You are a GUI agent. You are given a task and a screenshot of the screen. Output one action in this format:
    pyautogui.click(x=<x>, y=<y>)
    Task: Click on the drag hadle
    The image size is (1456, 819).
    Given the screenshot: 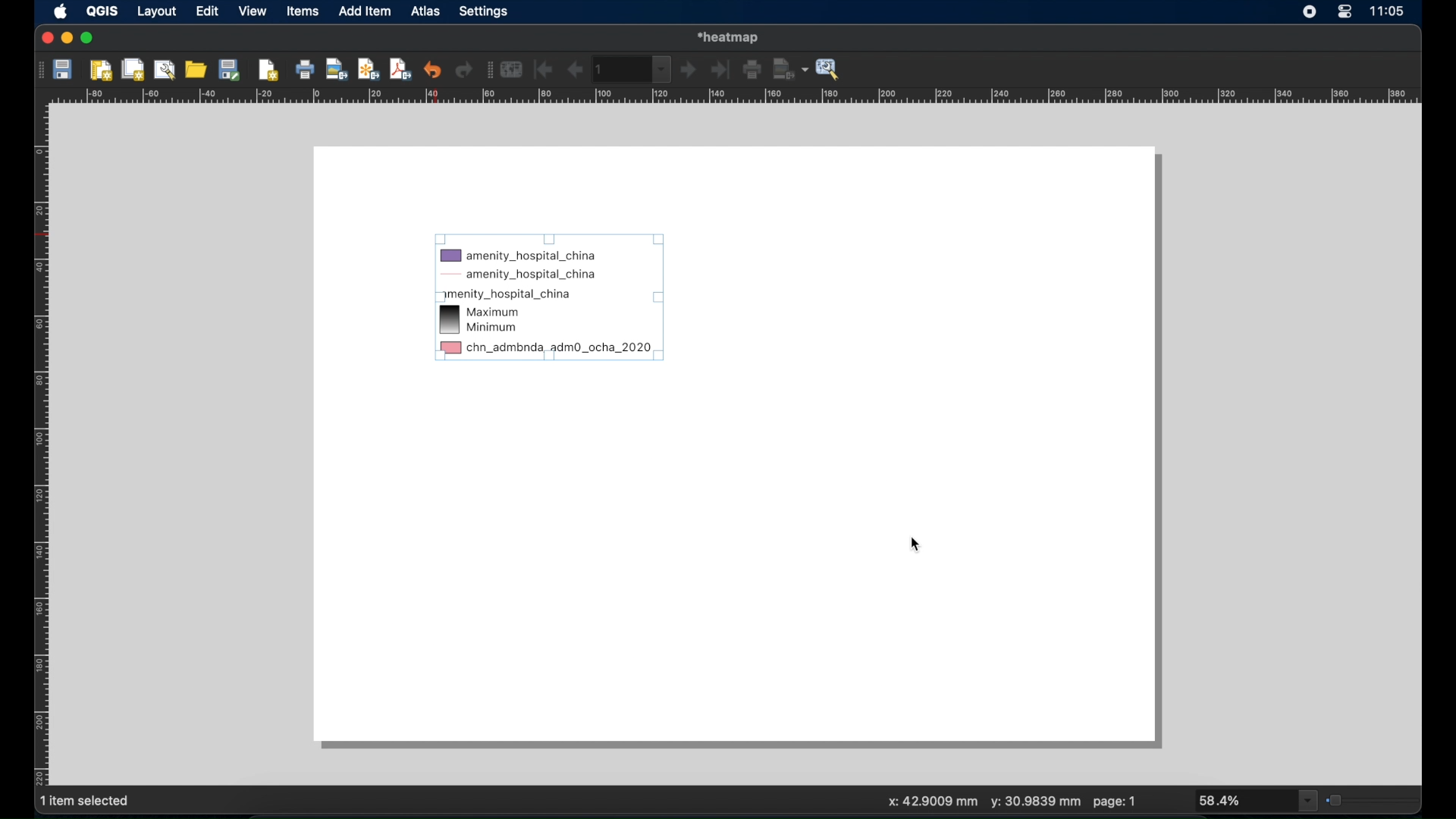 What is the action you would take?
    pyautogui.click(x=37, y=69)
    